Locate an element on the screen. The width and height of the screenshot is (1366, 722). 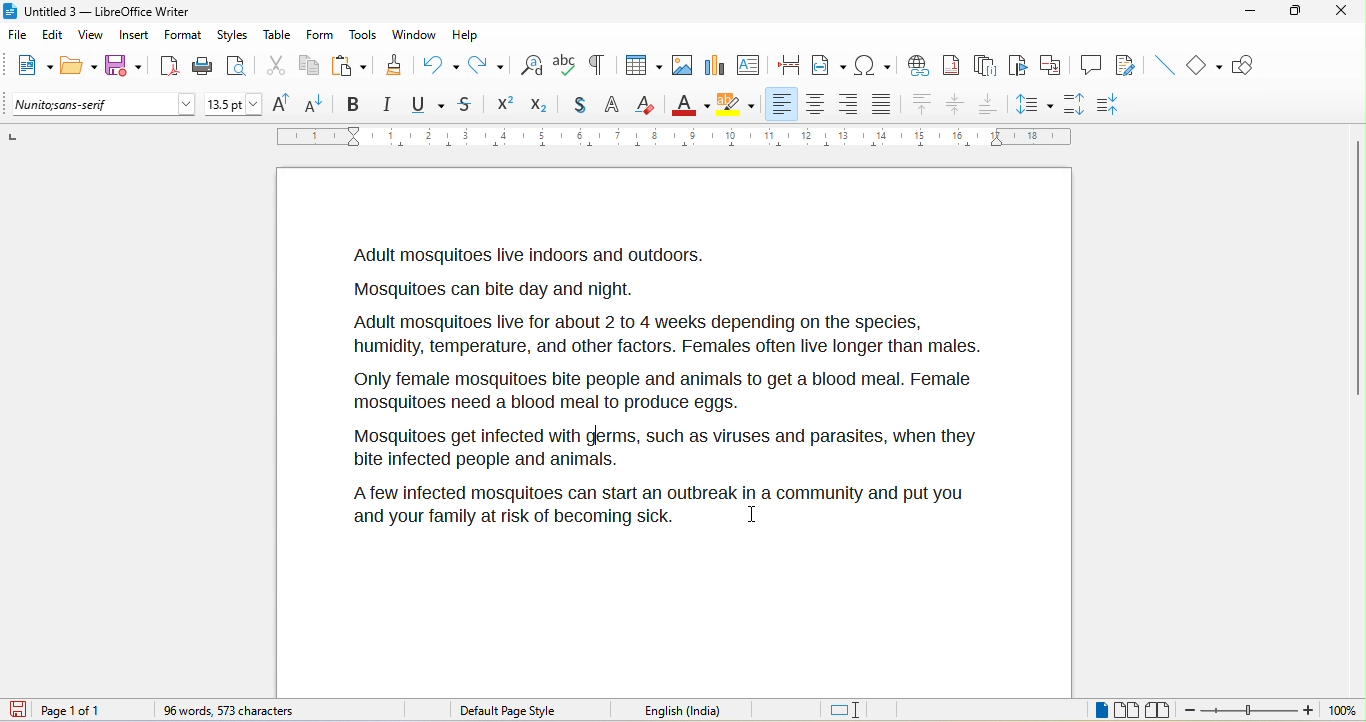
align bottom is located at coordinates (988, 104).